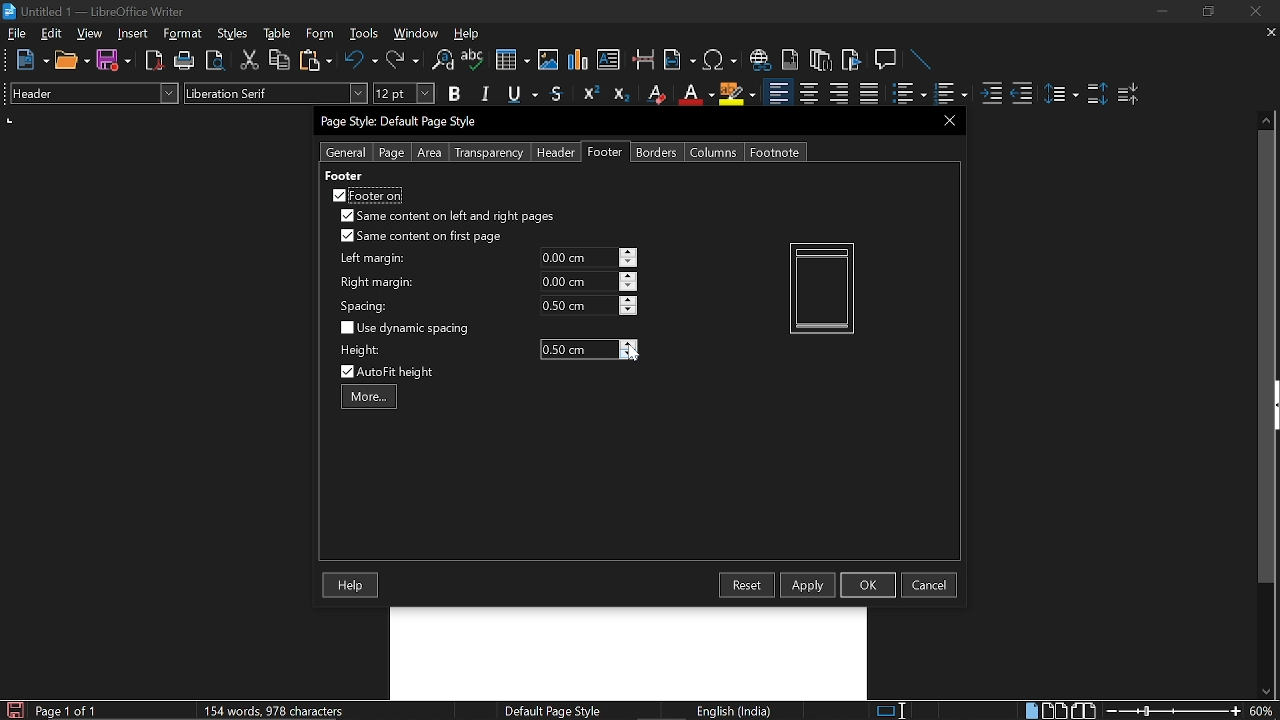 The height and width of the screenshot is (720, 1280). I want to click on Minimize, so click(1162, 14).